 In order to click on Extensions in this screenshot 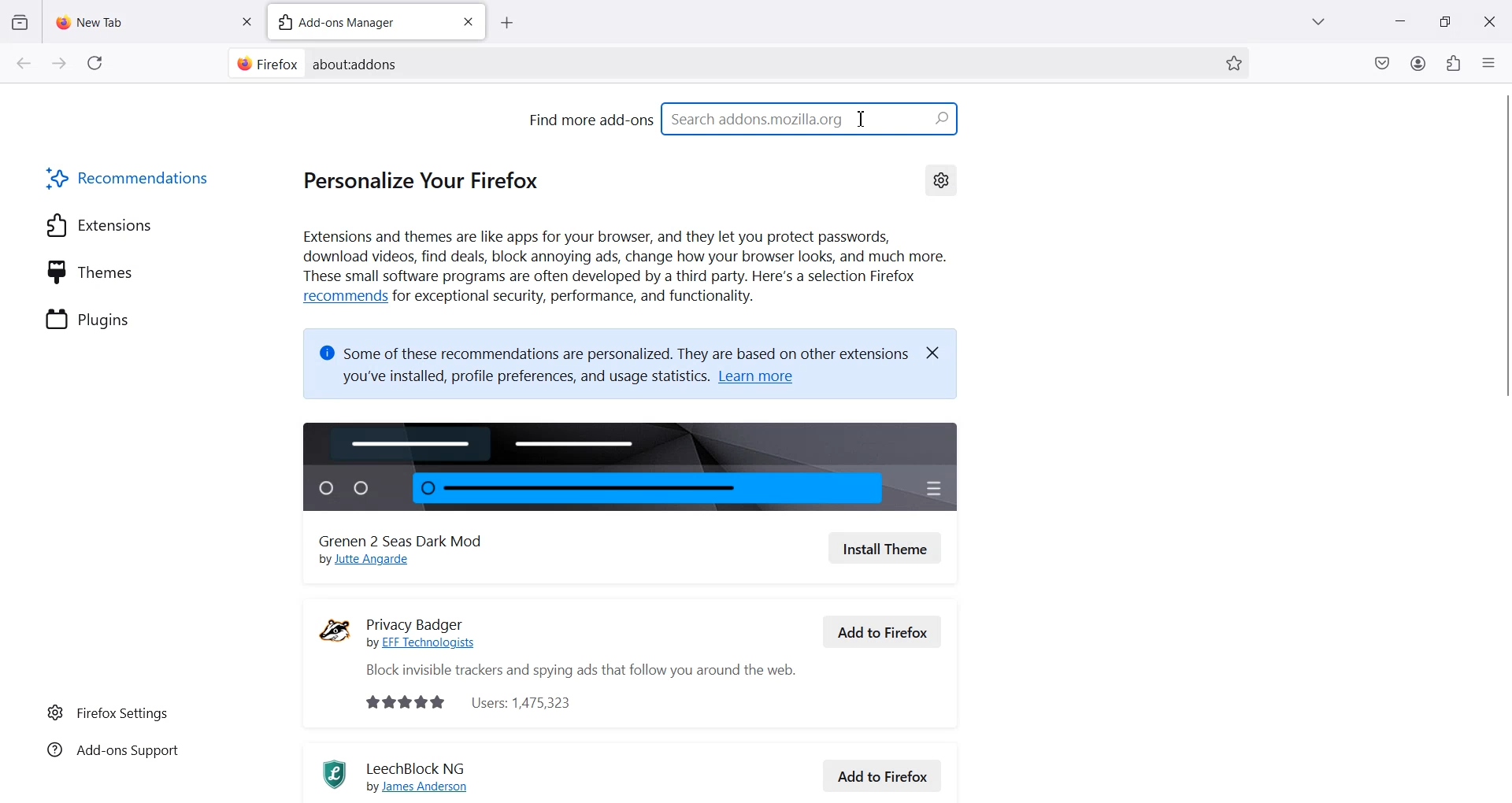, I will do `click(1453, 63)`.